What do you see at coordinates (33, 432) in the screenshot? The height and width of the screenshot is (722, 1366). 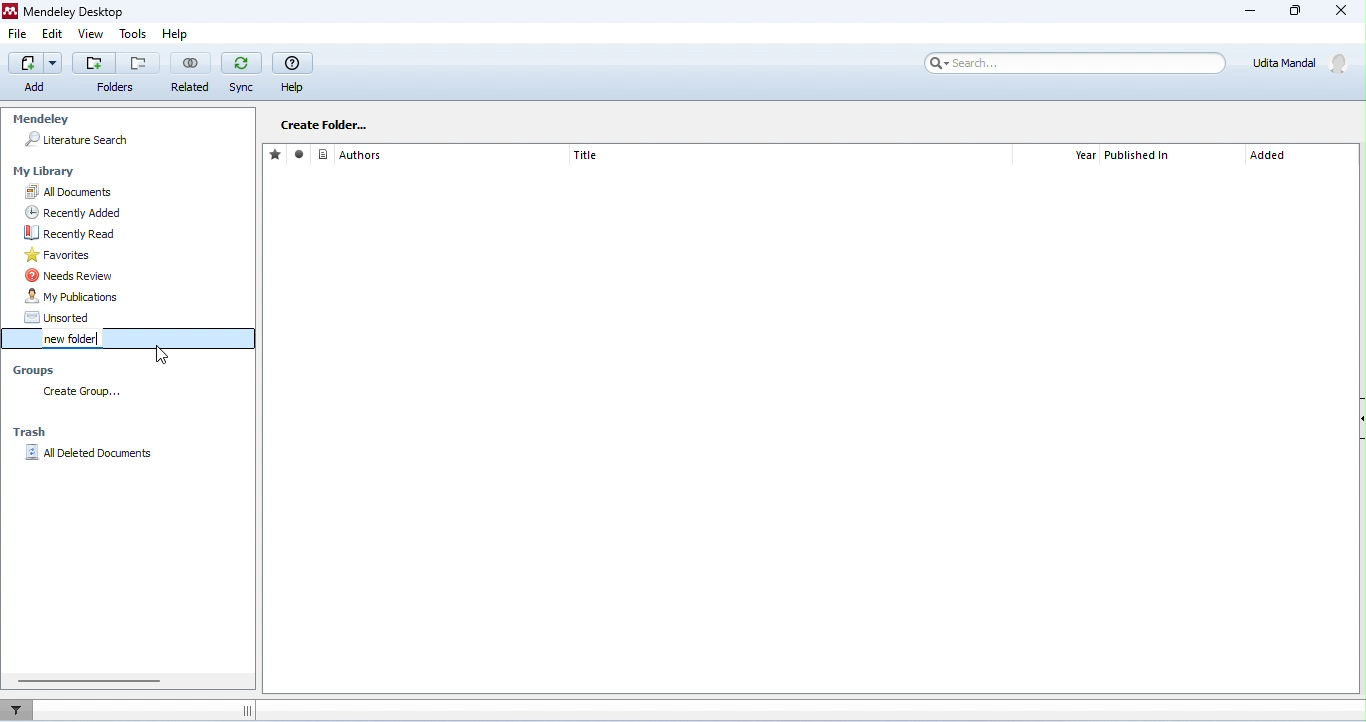 I see `trash` at bounding box center [33, 432].